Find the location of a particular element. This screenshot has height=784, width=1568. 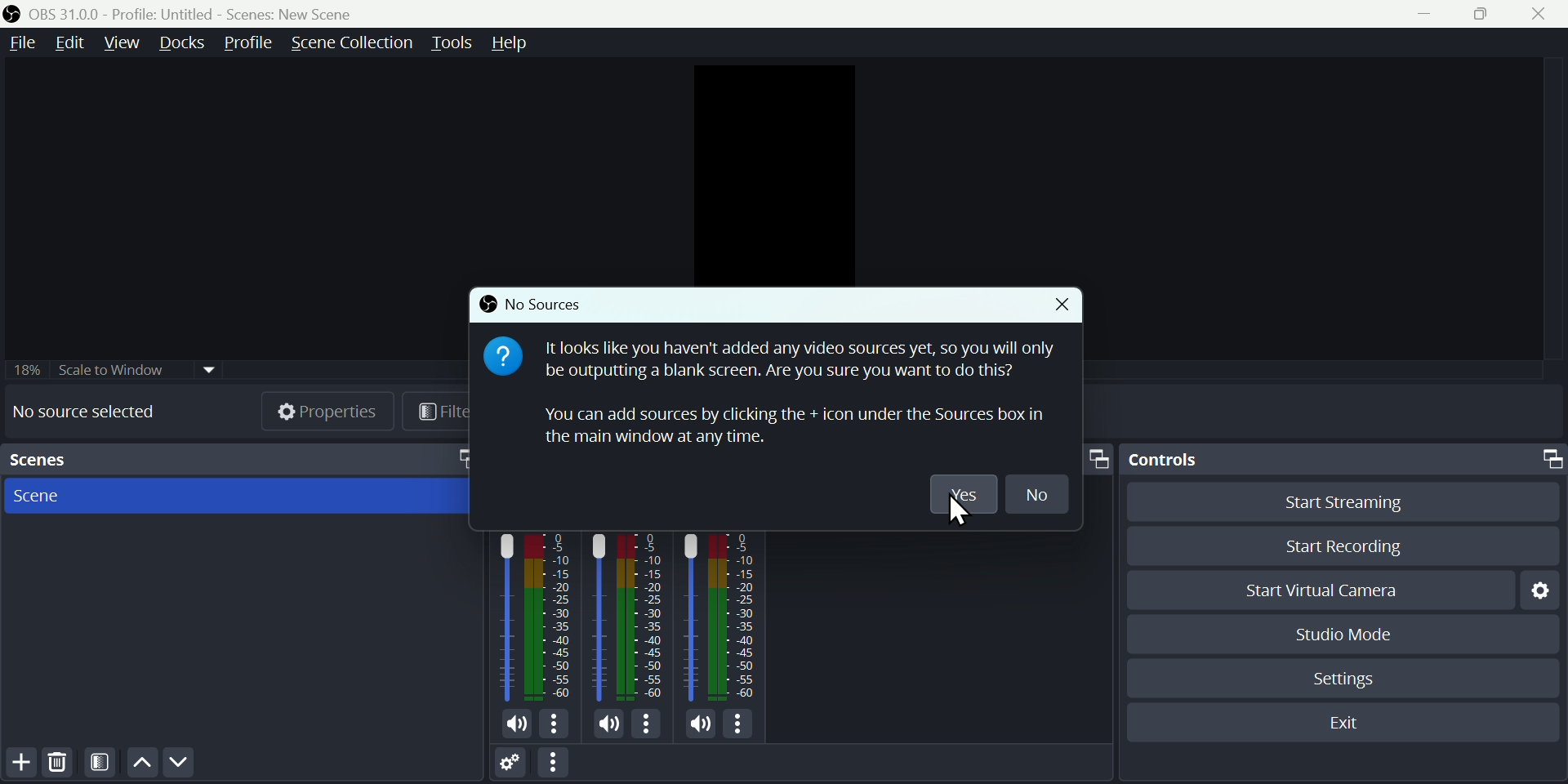

No source selected is located at coordinates (82, 416).